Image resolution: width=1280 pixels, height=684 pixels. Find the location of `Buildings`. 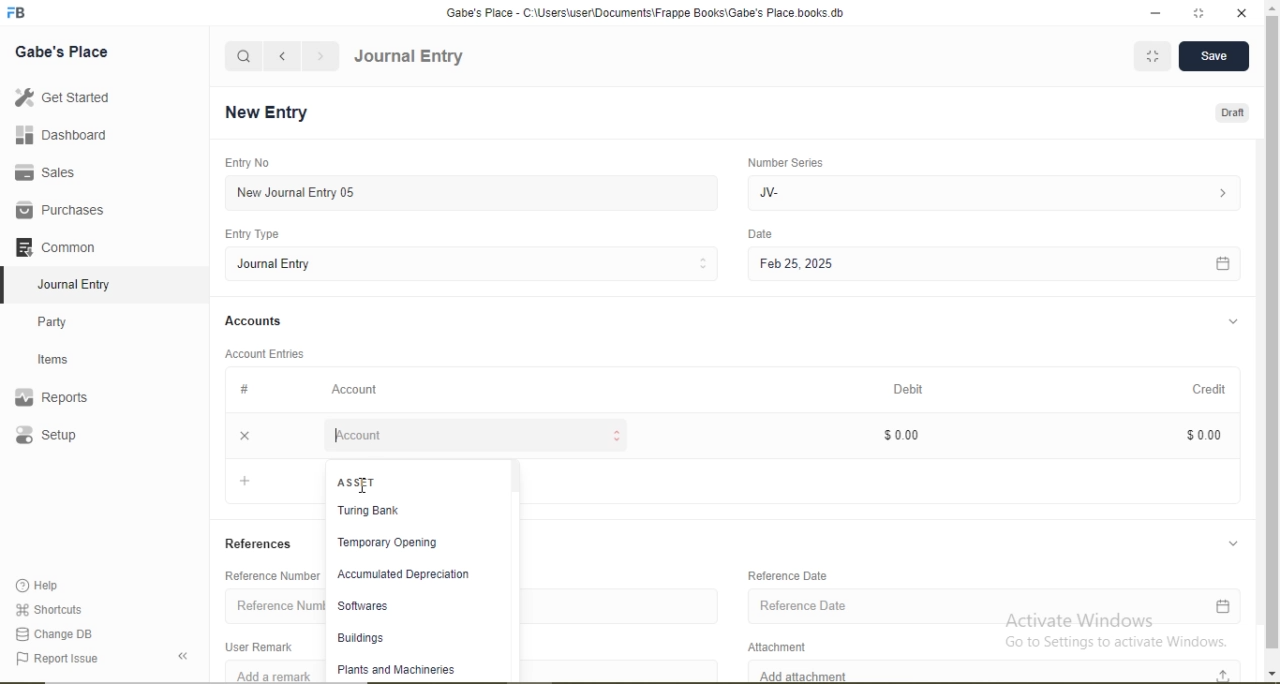

Buildings is located at coordinates (398, 639).